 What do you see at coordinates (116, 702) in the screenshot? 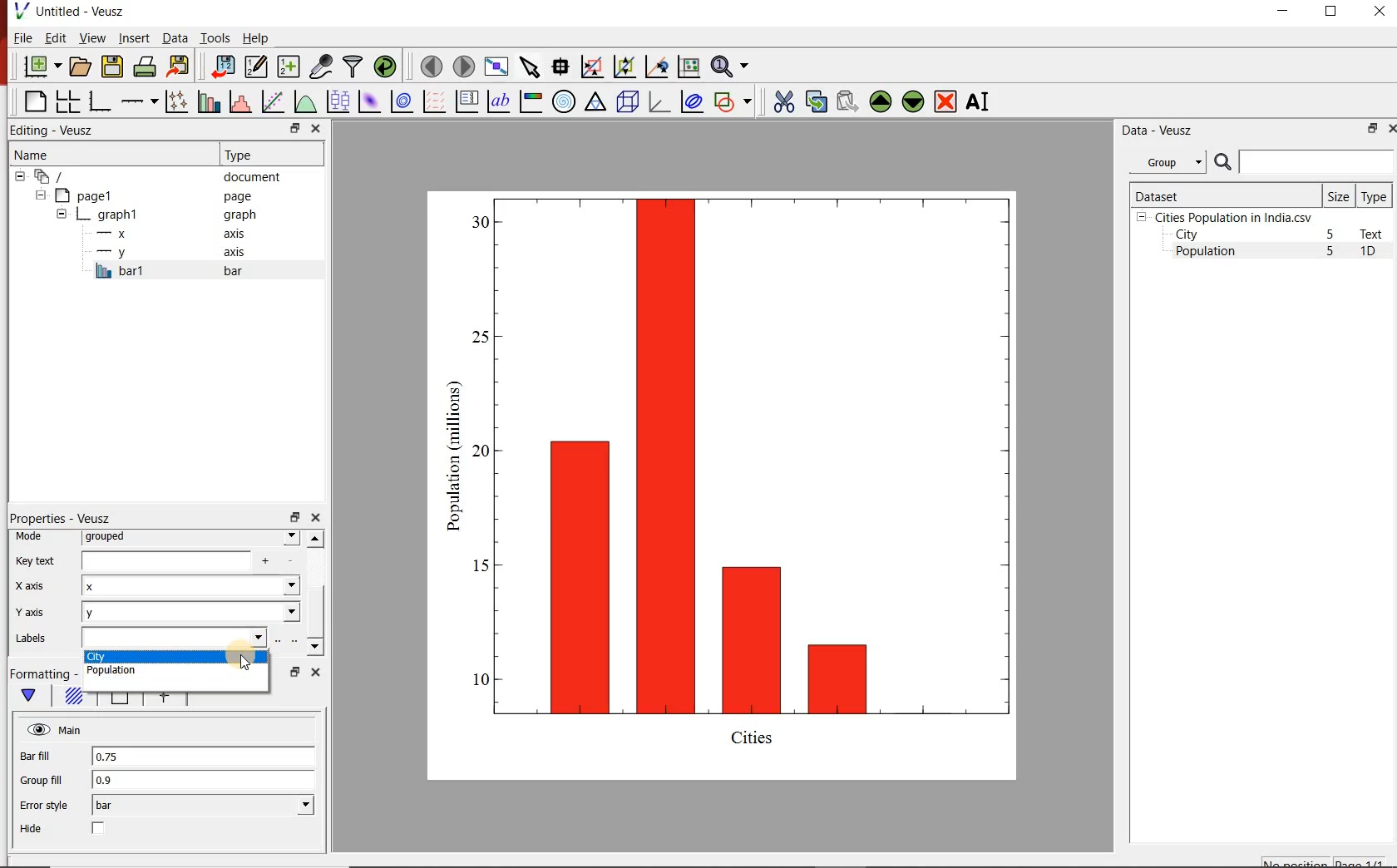
I see `Line` at bounding box center [116, 702].